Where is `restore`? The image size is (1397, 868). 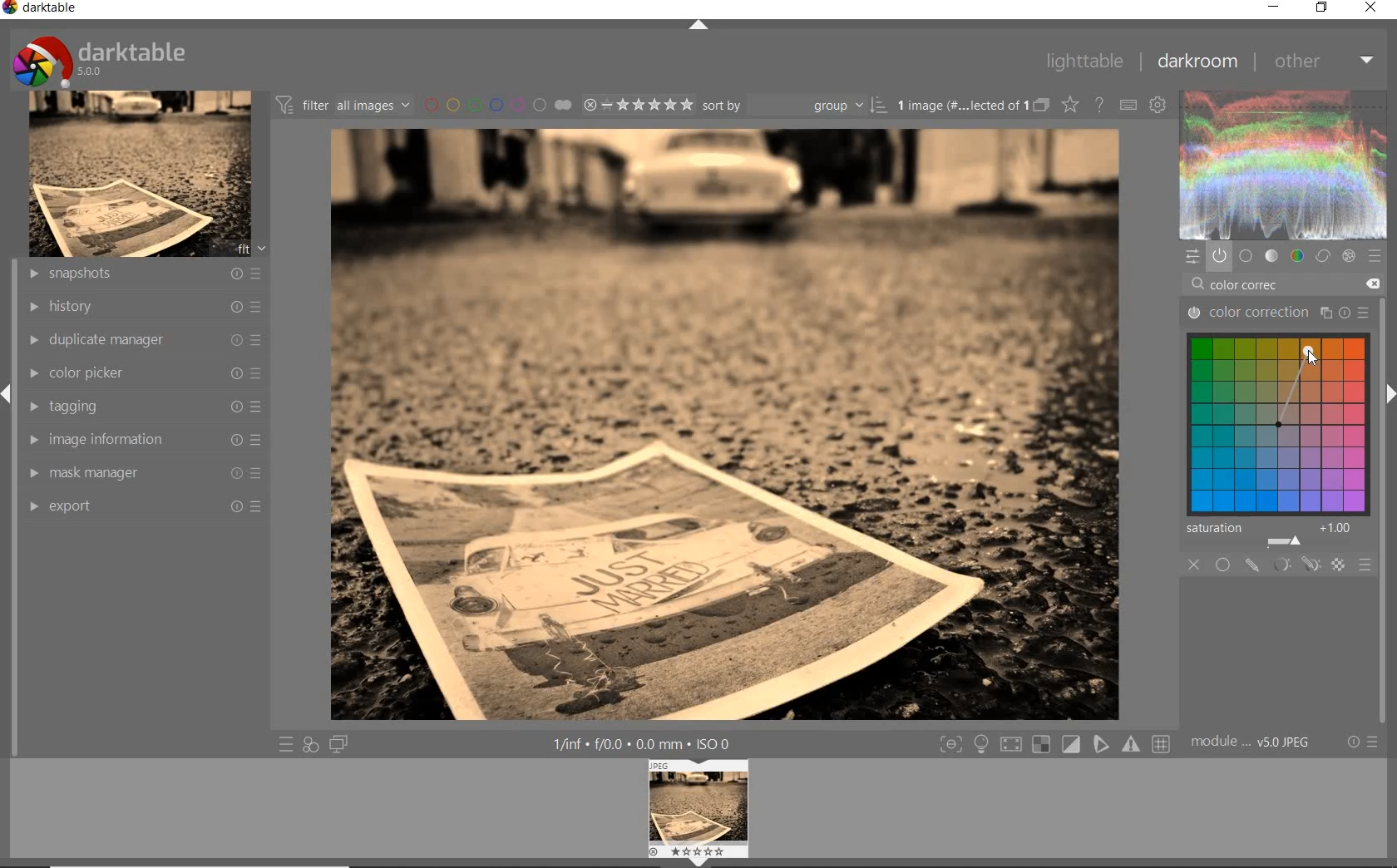
restore is located at coordinates (1323, 7).